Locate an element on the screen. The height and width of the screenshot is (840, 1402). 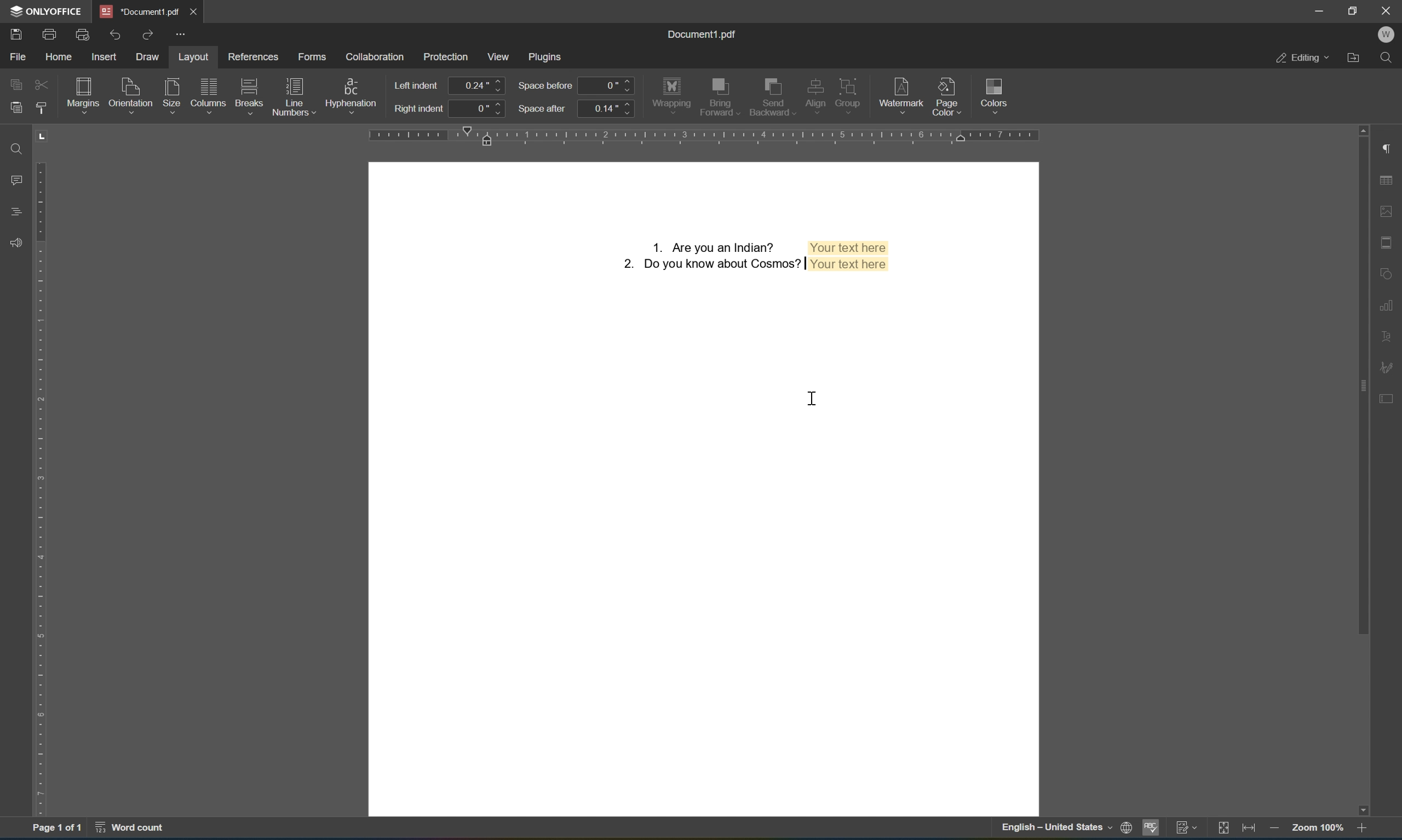
chart settings is located at coordinates (1388, 309).